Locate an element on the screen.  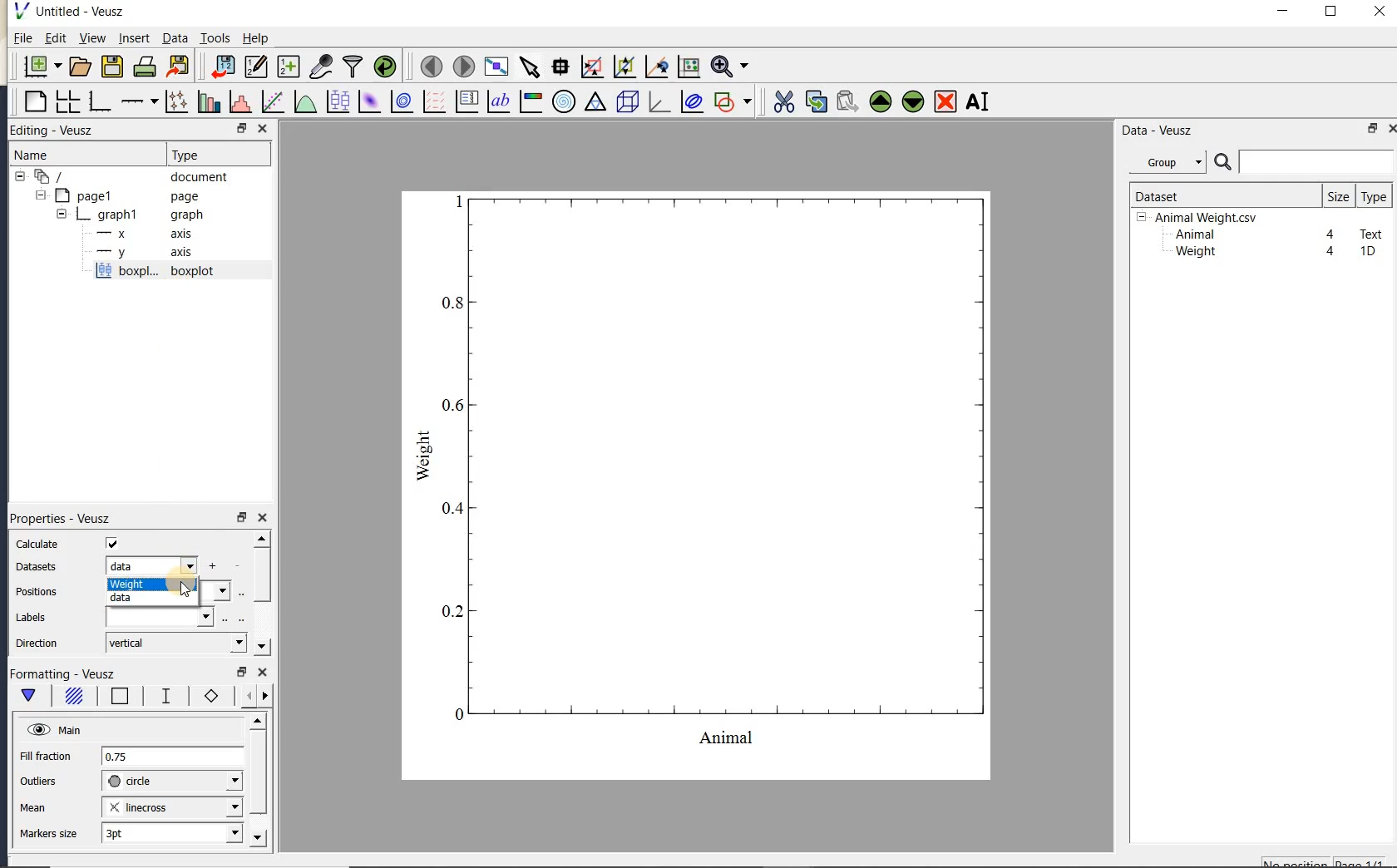
text label is located at coordinates (498, 103).